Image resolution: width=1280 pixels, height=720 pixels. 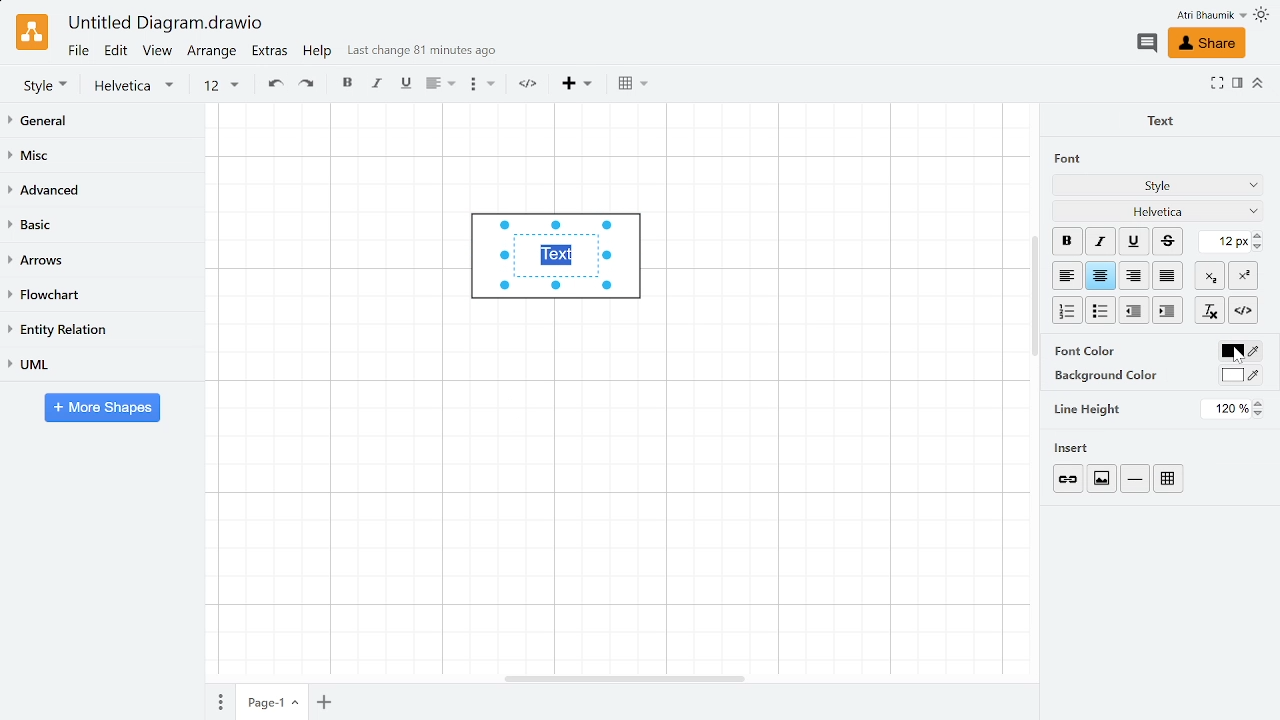 I want to click on Arrange, so click(x=213, y=53).